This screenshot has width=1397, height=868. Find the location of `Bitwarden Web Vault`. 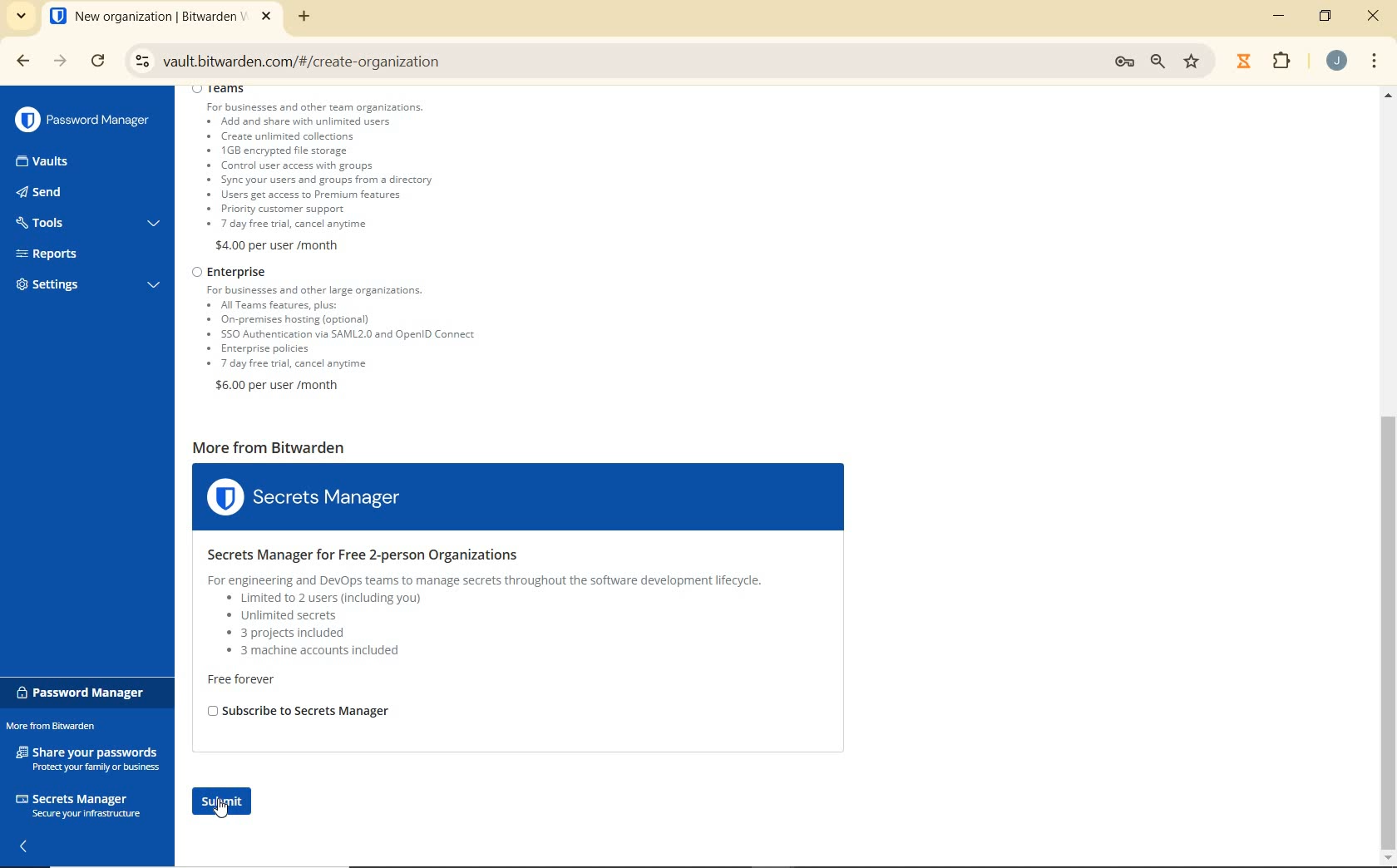

Bitwarden Web Vault is located at coordinates (160, 18).